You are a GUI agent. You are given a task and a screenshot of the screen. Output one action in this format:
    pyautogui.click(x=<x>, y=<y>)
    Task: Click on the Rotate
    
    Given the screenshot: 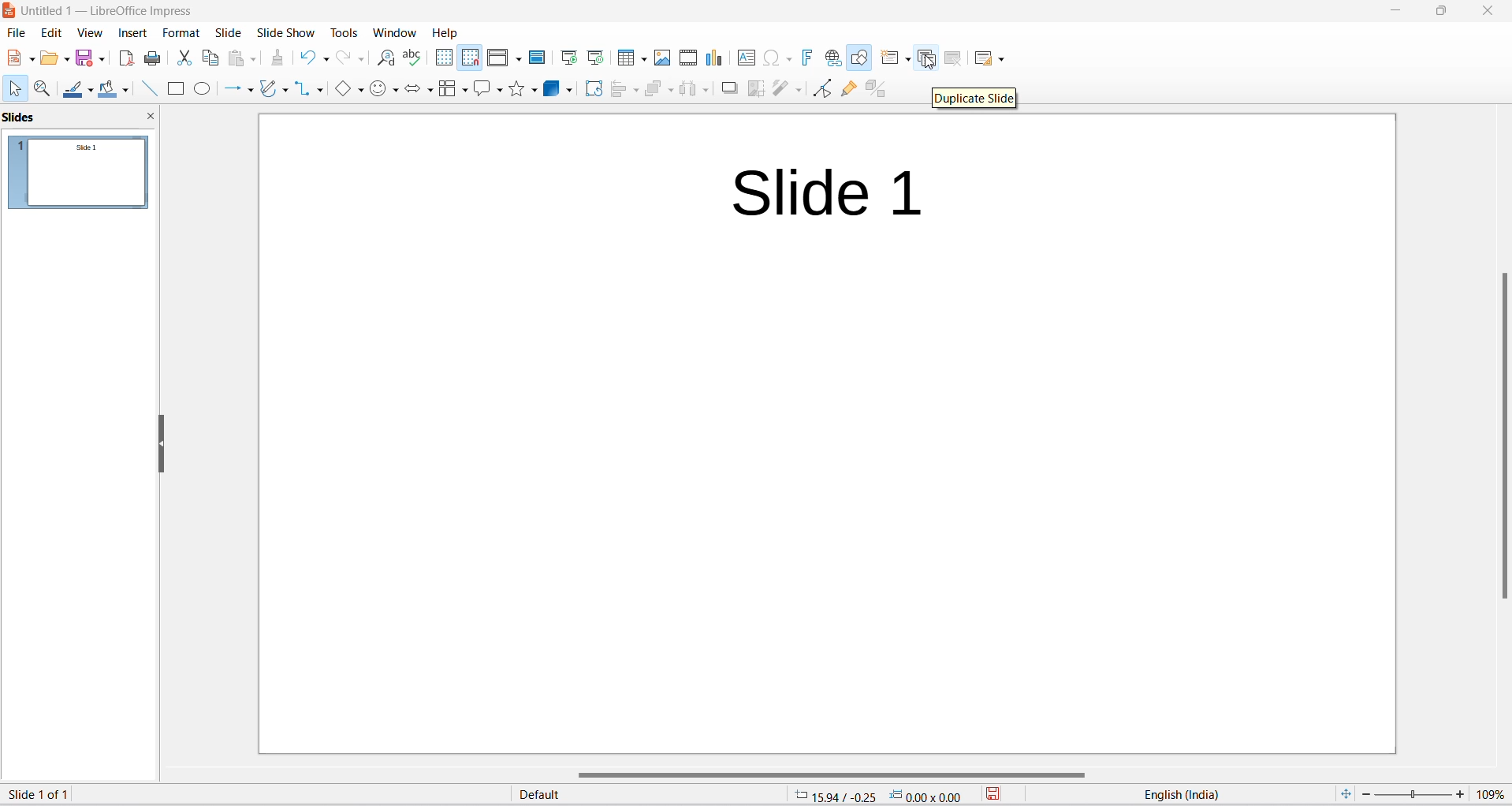 What is the action you would take?
    pyautogui.click(x=592, y=90)
    